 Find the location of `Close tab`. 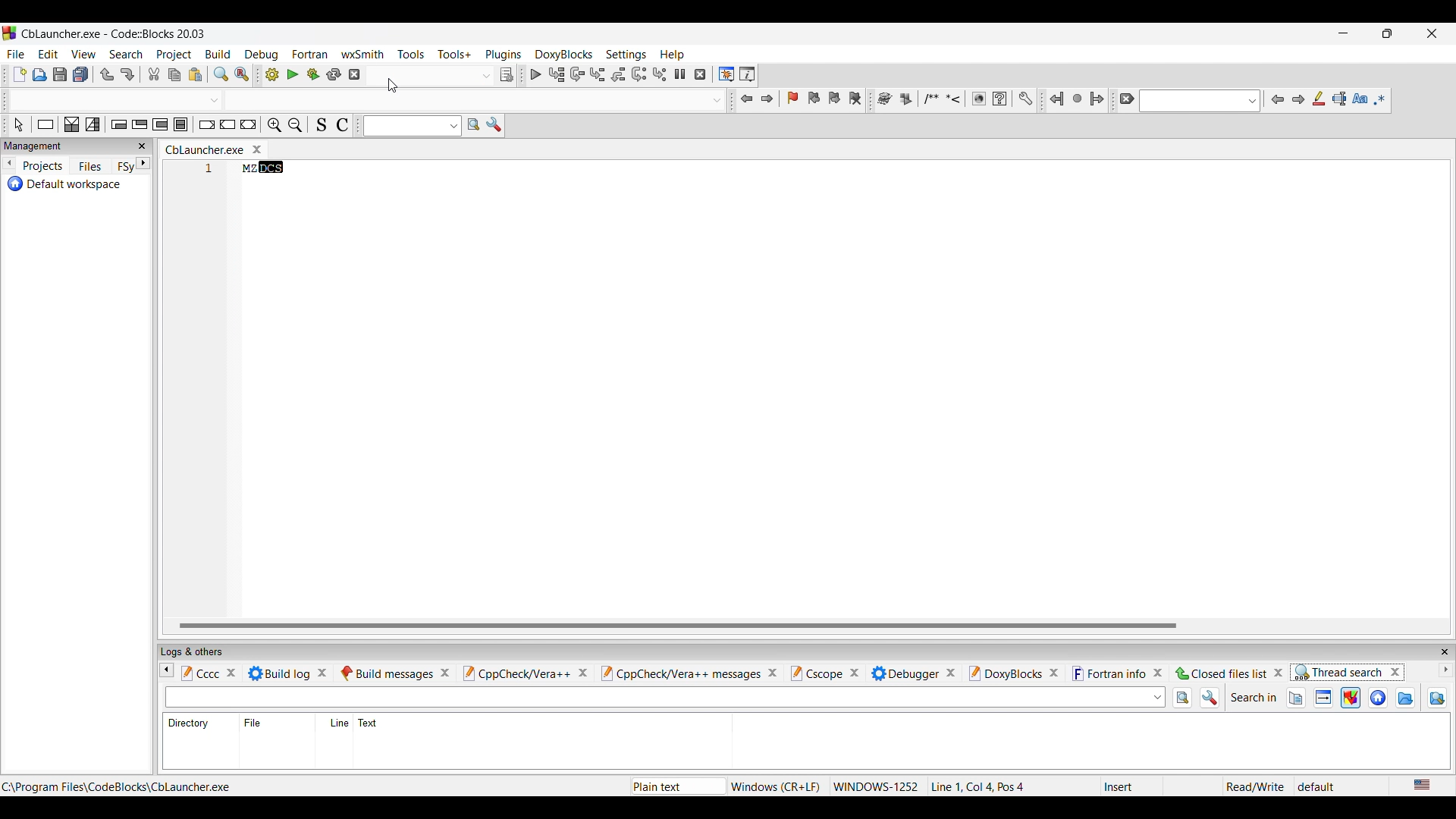

Close tab is located at coordinates (100, 149).